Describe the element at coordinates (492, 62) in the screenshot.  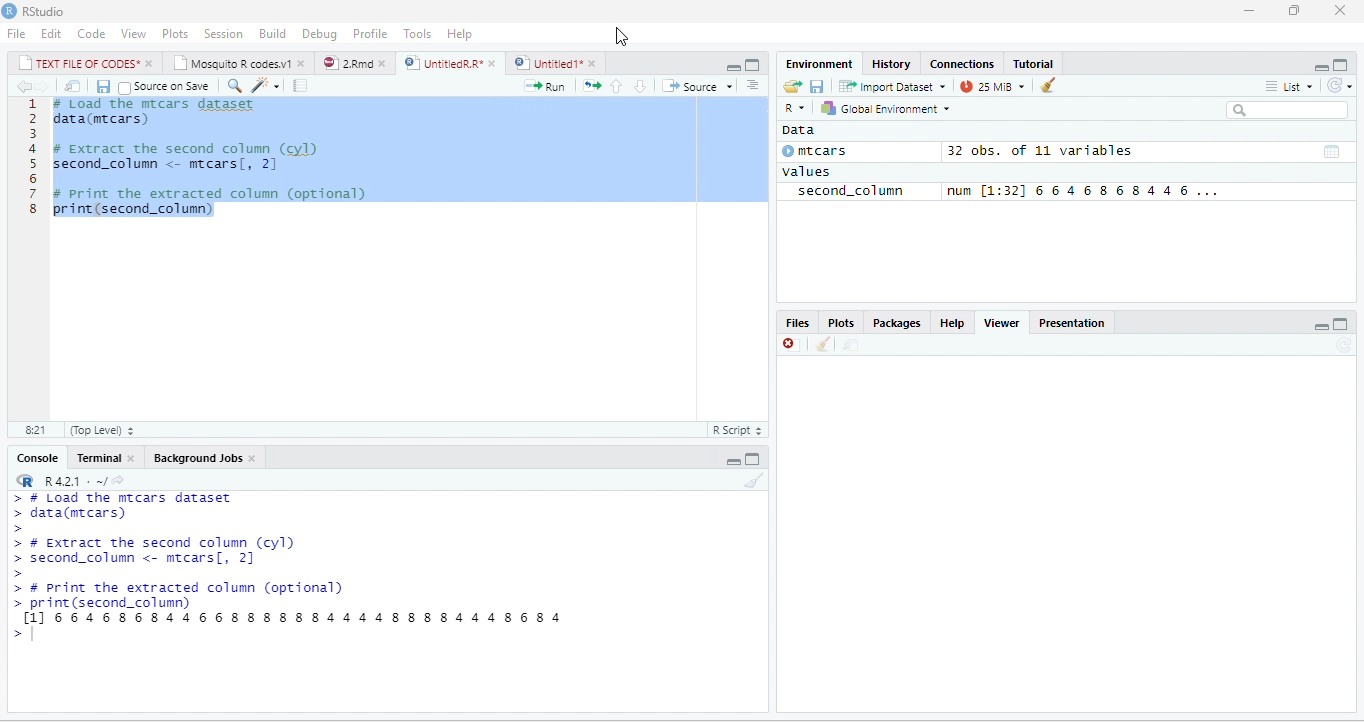
I see `close` at that location.